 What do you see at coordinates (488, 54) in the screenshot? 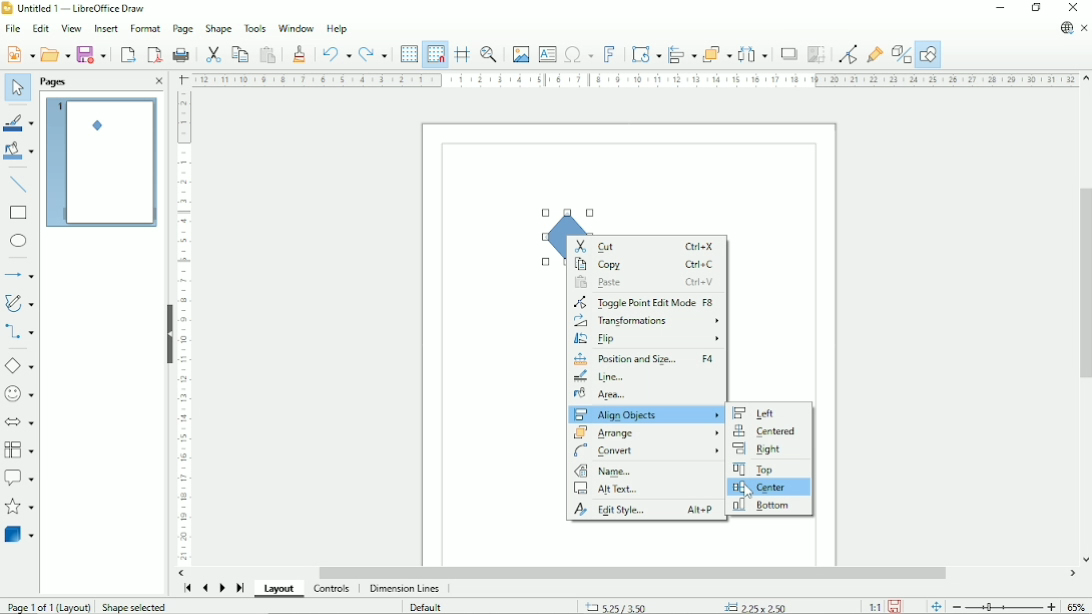
I see `Zoom & pan` at bounding box center [488, 54].